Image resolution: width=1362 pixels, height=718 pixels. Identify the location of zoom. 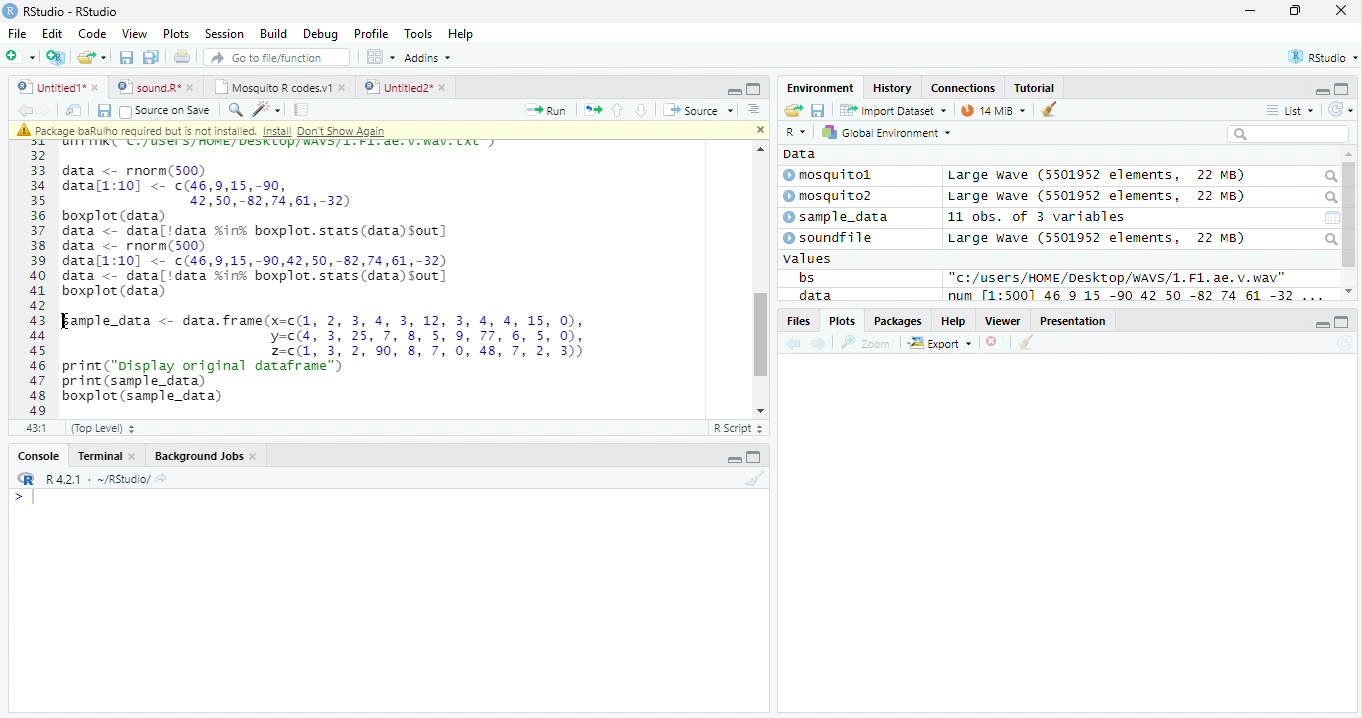
(866, 342).